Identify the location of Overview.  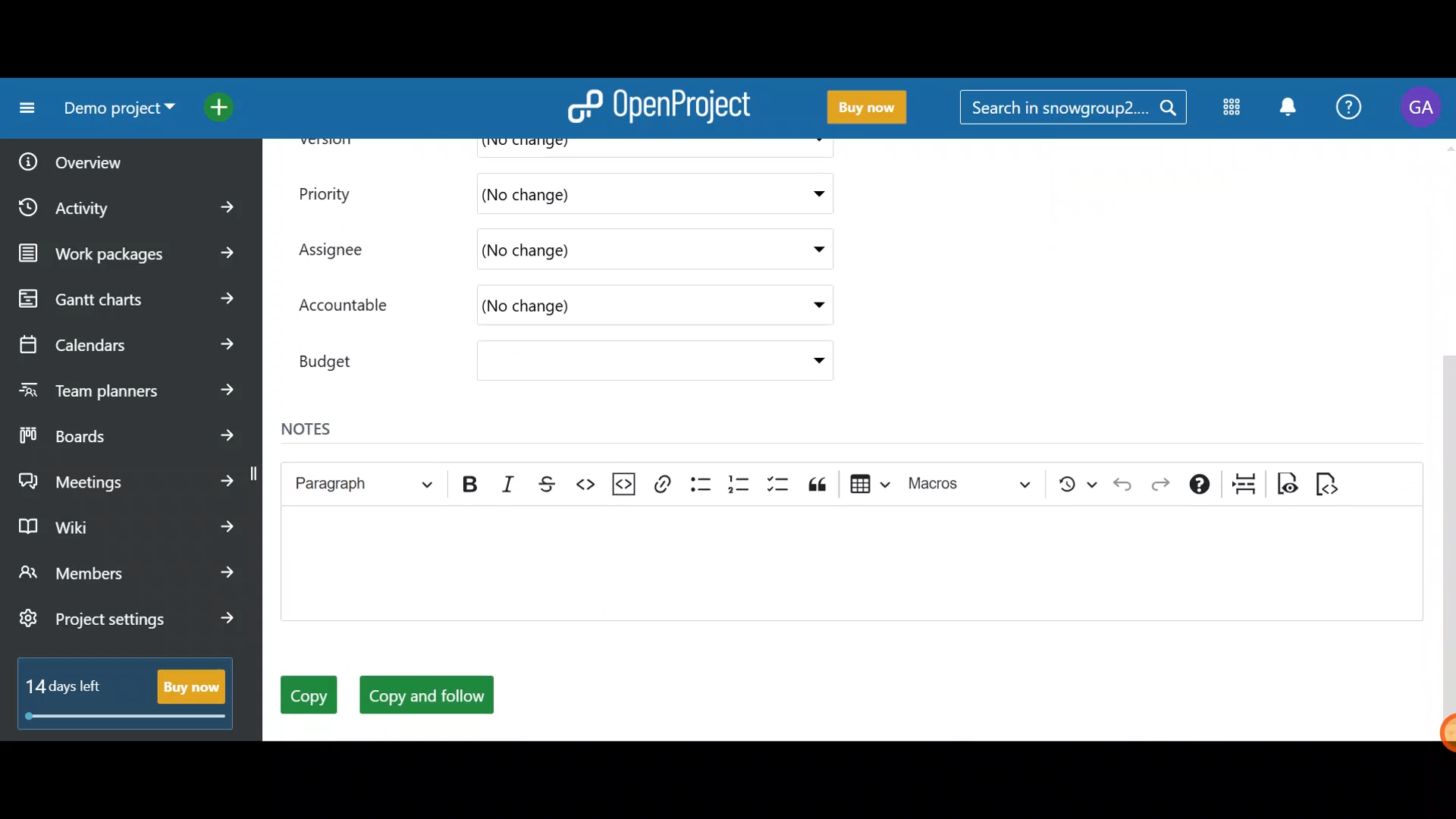
(115, 157).